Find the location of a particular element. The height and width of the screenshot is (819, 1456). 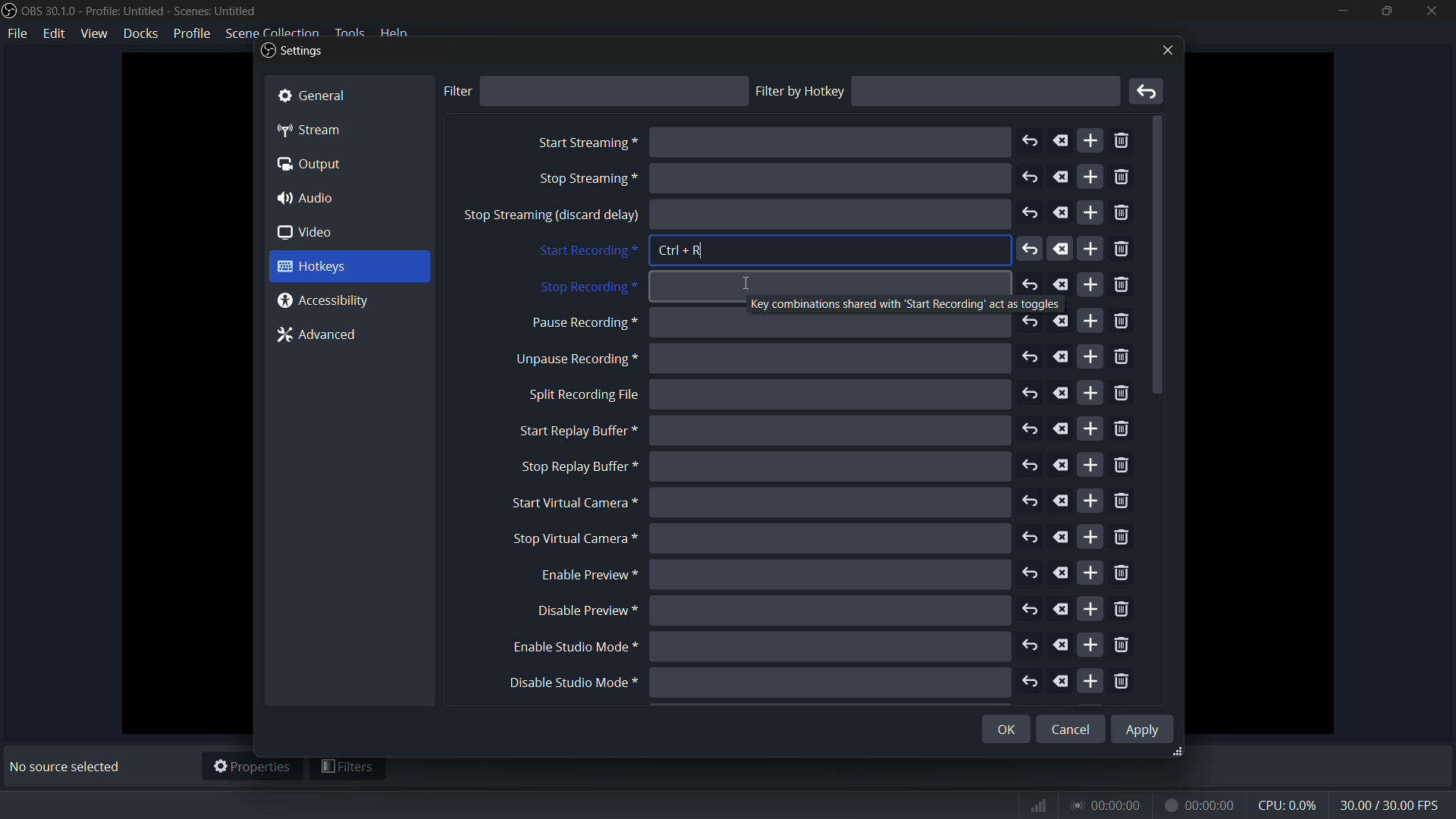

0 video is located at coordinates (316, 233).